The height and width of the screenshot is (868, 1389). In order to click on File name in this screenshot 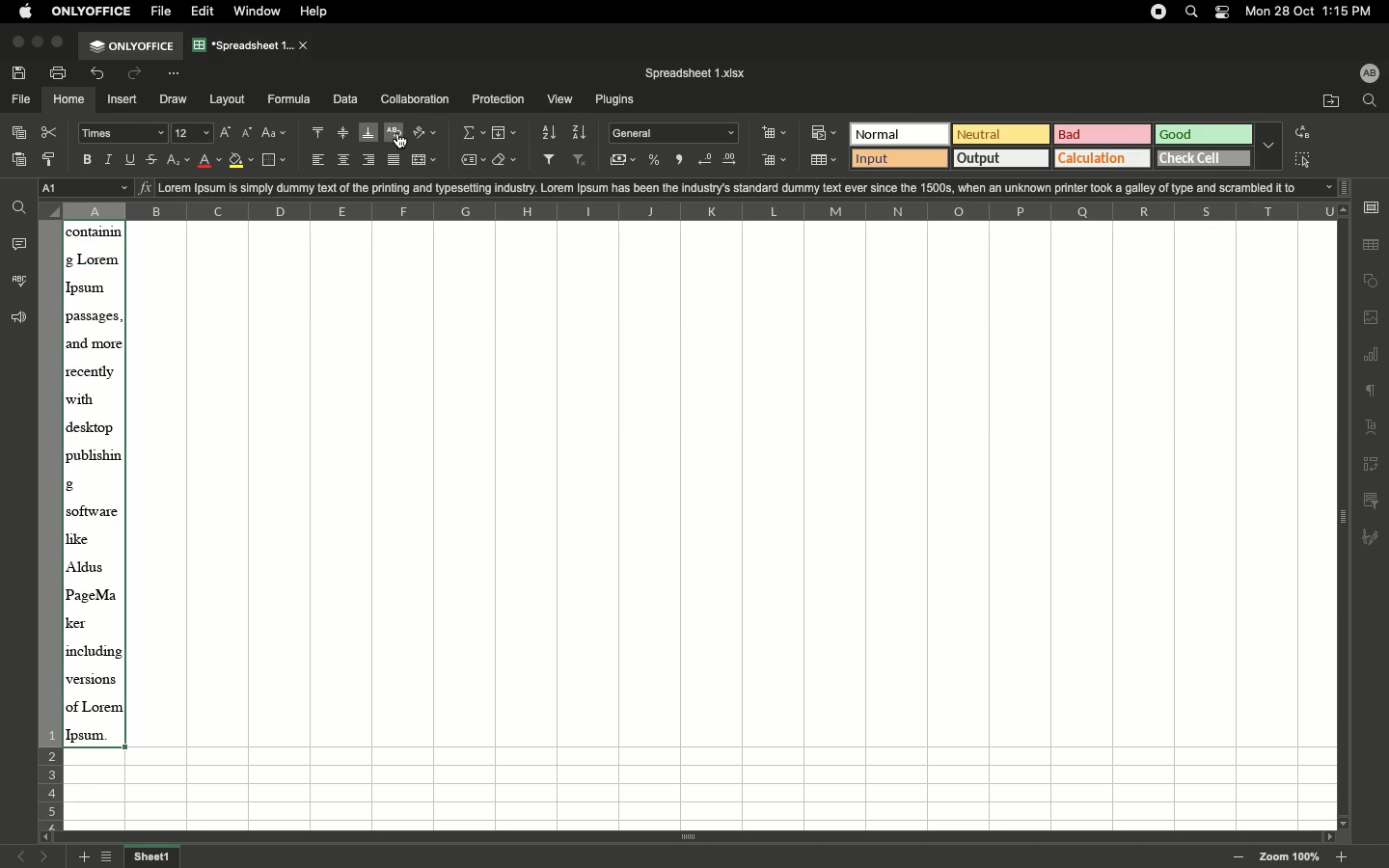, I will do `click(698, 73)`.